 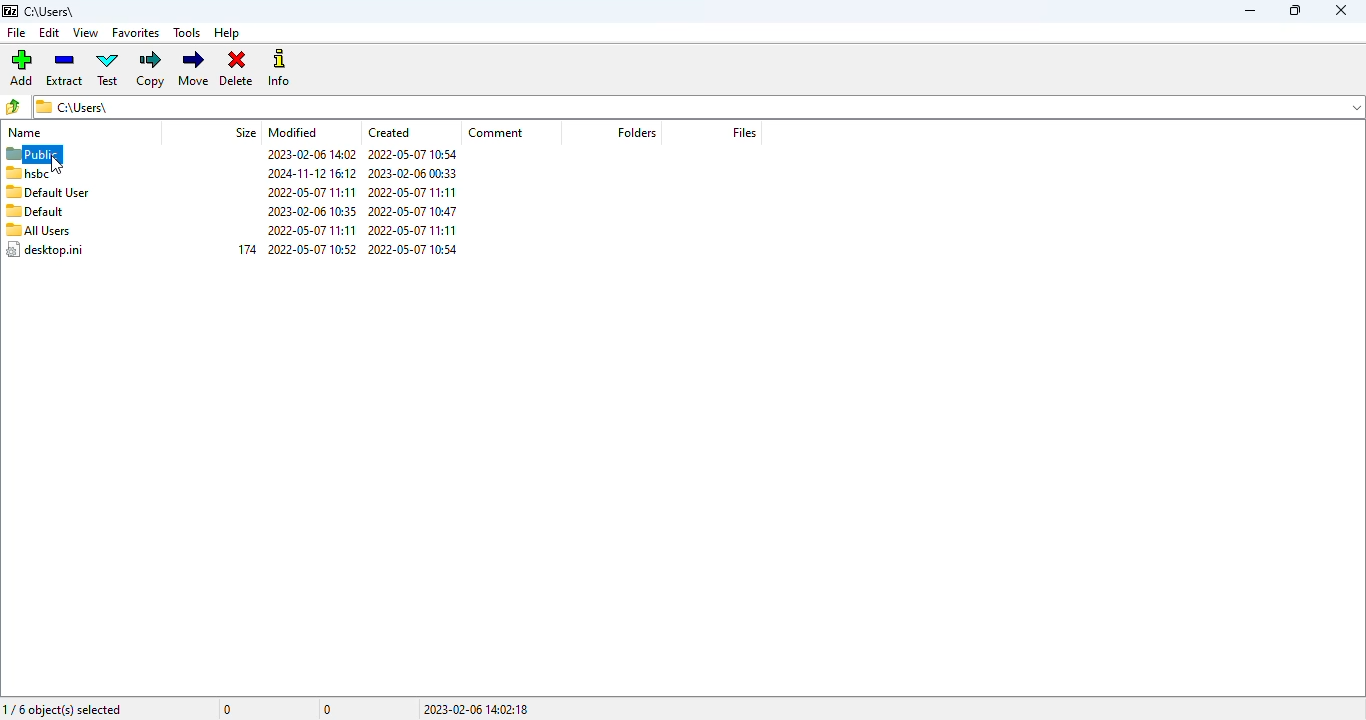 I want to click on view, so click(x=85, y=33).